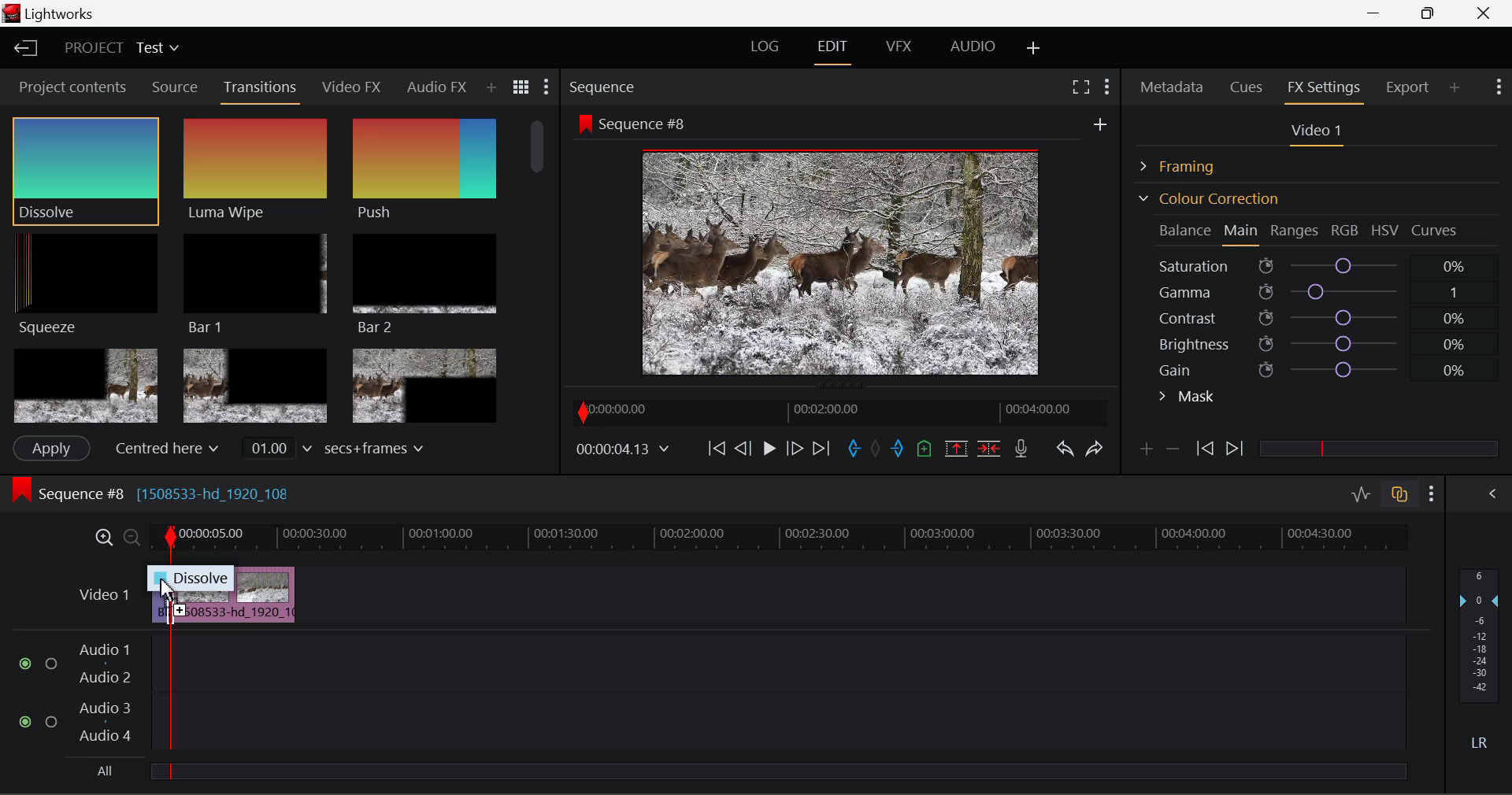 This screenshot has width=1512, height=795. What do you see at coordinates (1318, 341) in the screenshot?
I see `Brightness` at bounding box center [1318, 341].